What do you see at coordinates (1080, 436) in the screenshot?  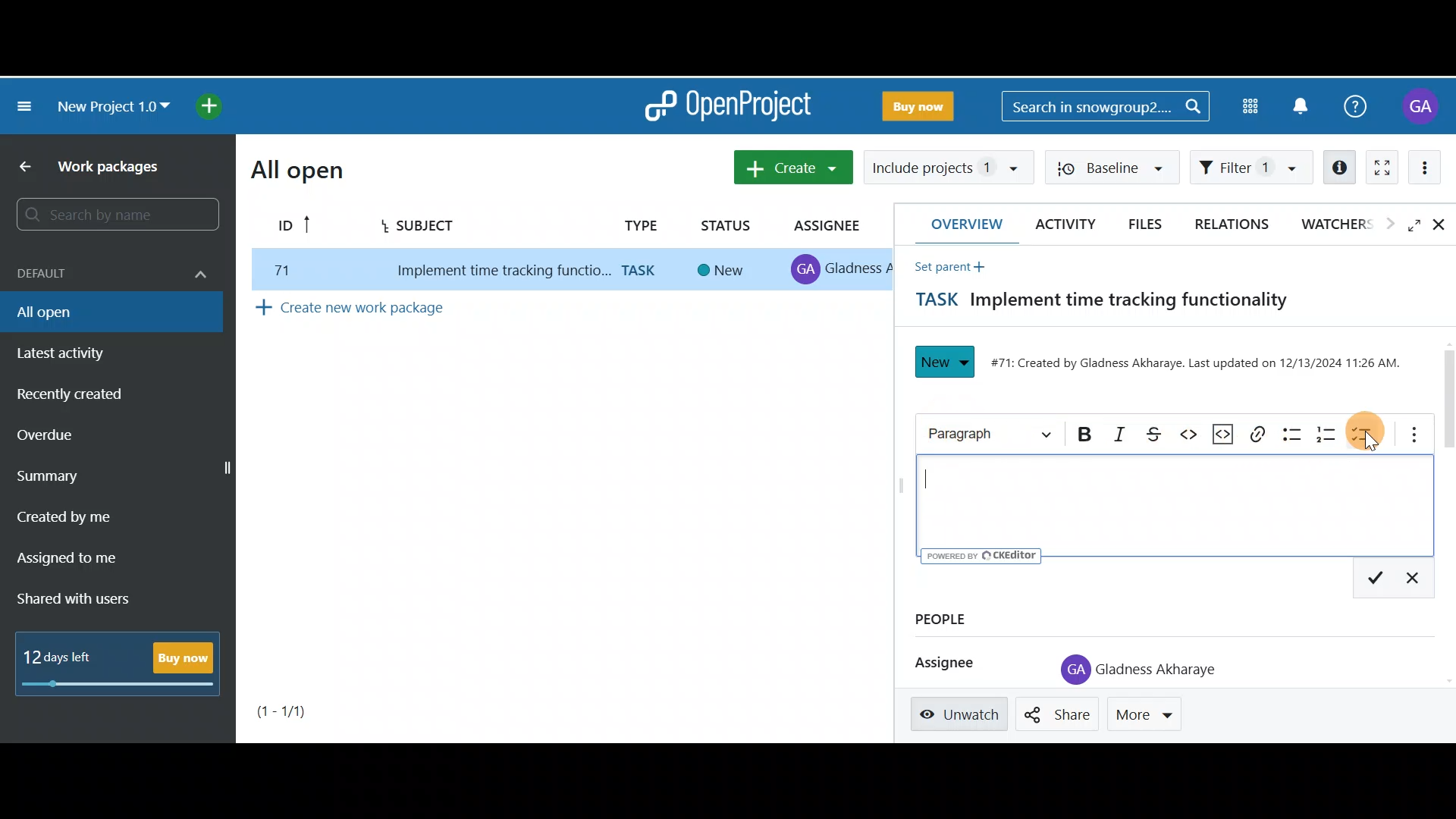 I see `Bold` at bounding box center [1080, 436].